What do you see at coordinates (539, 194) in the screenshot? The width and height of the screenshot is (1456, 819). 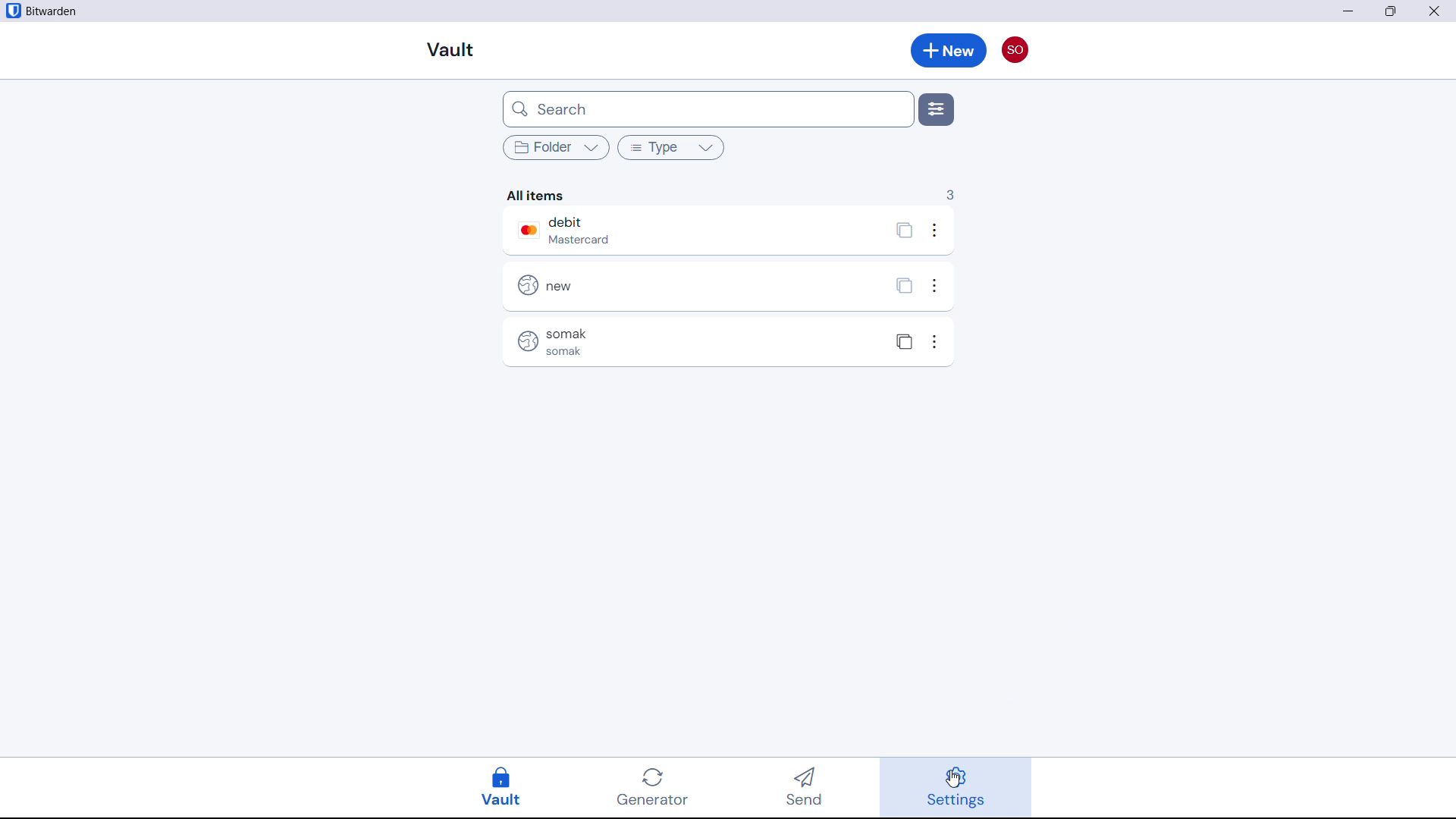 I see `All items ` at bounding box center [539, 194].